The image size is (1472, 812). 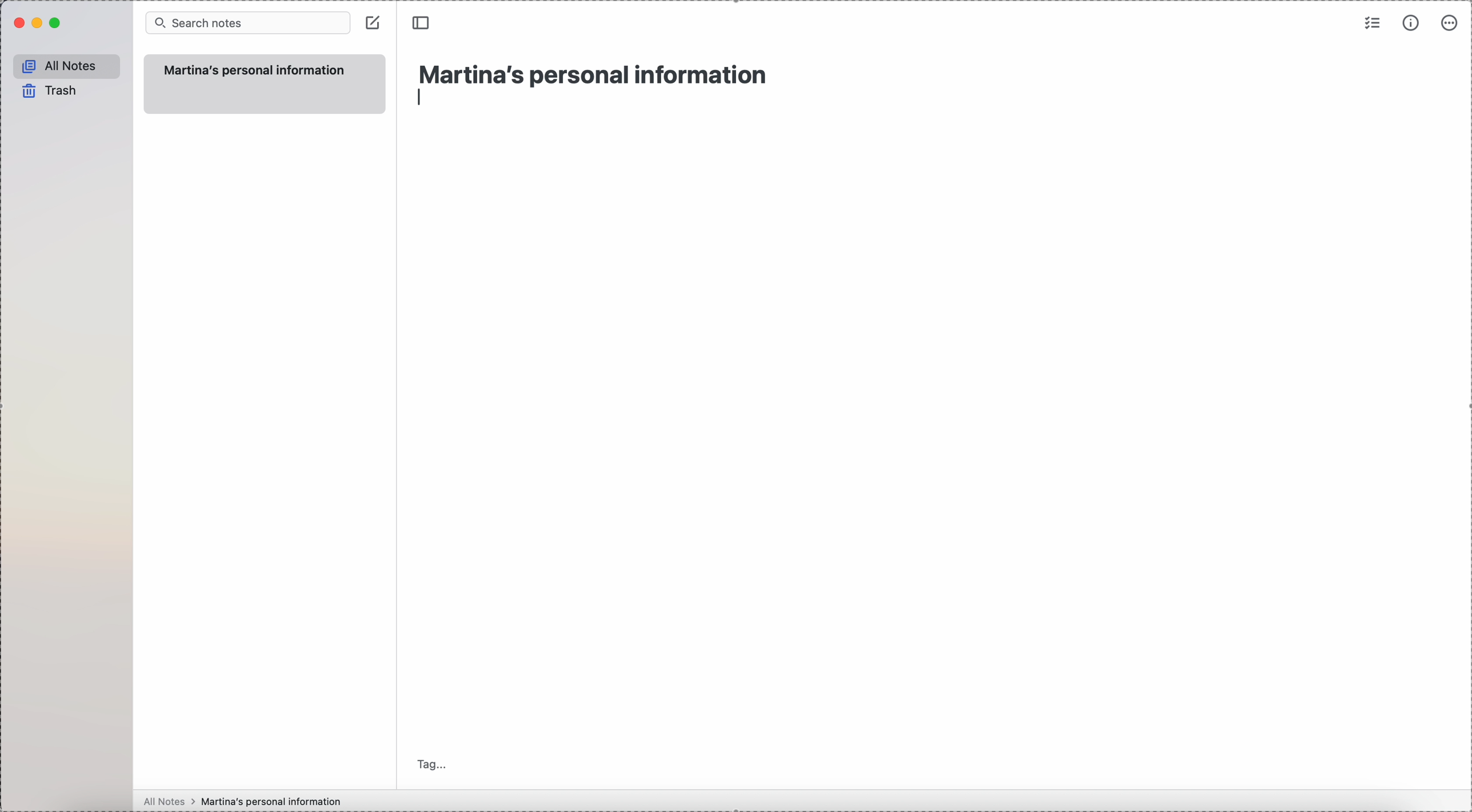 What do you see at coordinates (1448, 24) in the screenshot?
I see `more options` at bounding box center [1448, 24].